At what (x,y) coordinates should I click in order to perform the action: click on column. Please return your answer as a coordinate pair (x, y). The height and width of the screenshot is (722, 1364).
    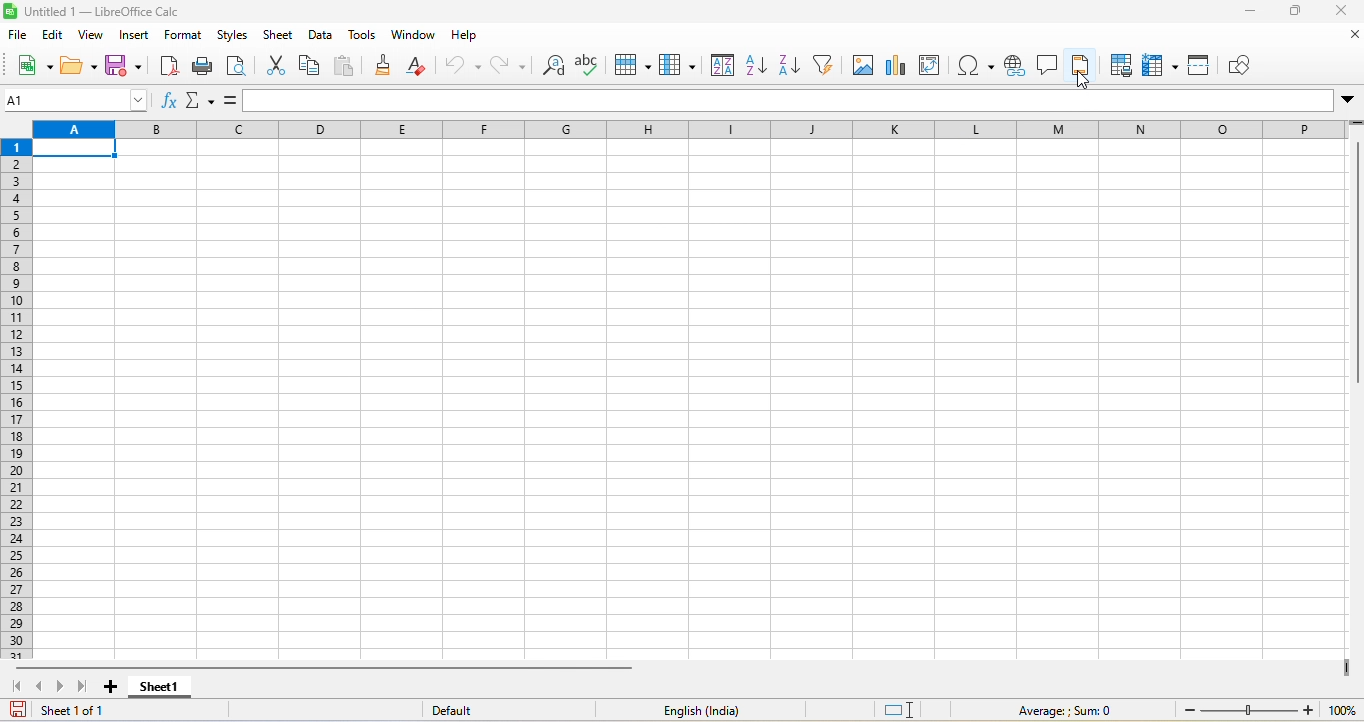
    Looking at the image, I should click on (680, 65).